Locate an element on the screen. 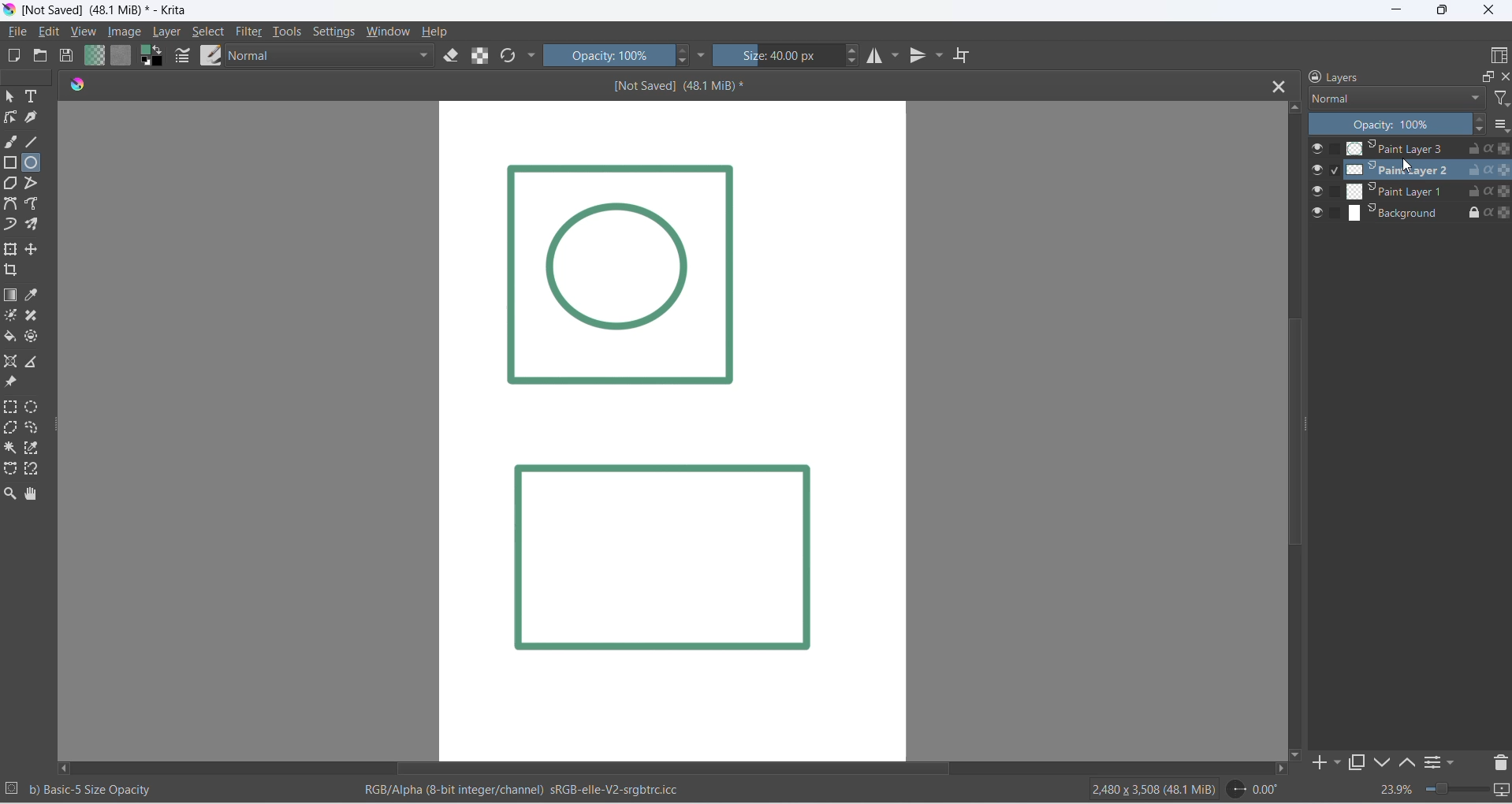  measure distance between two points is located at coordinates (35, 361).